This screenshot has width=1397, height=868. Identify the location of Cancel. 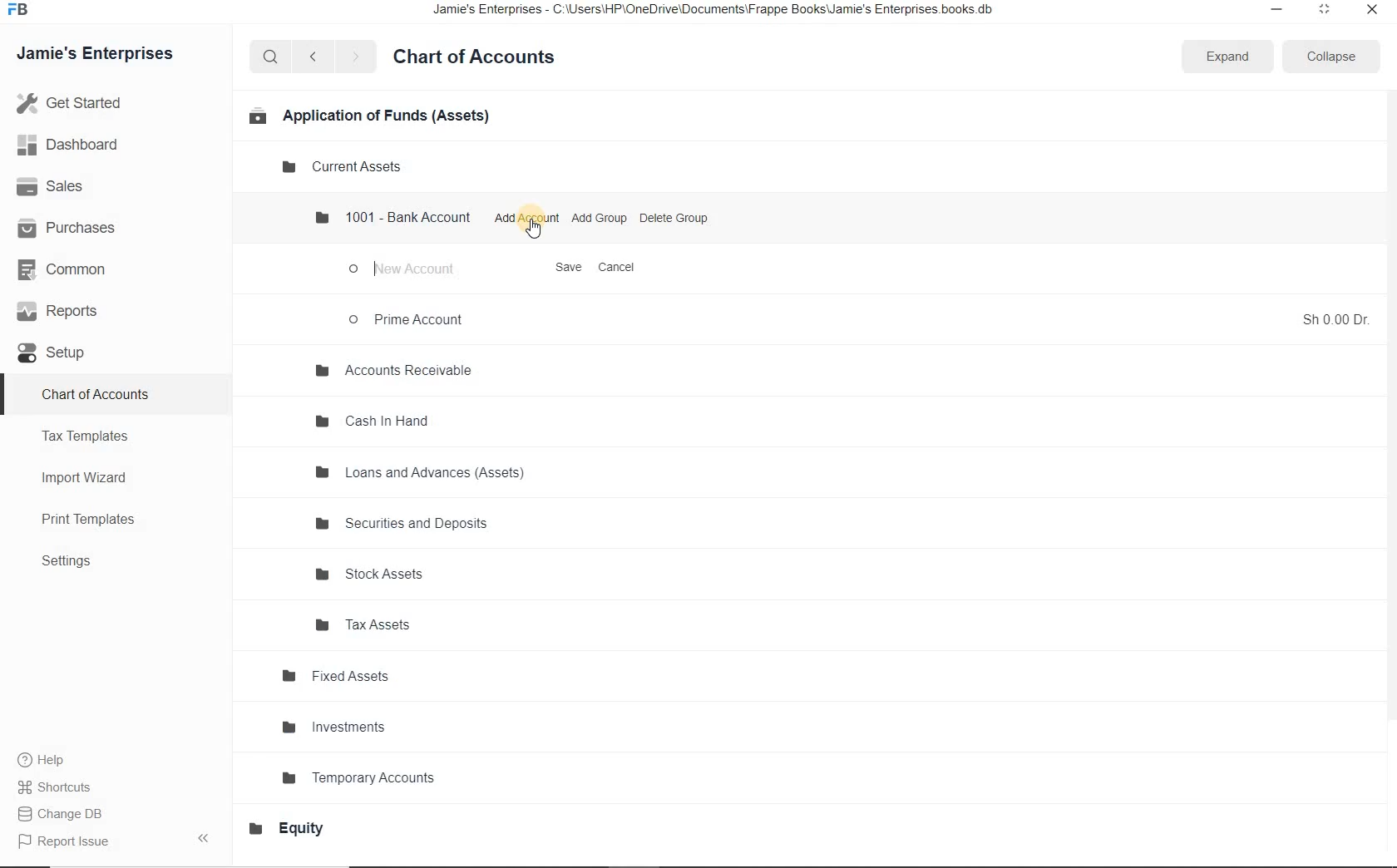
(620, 267).